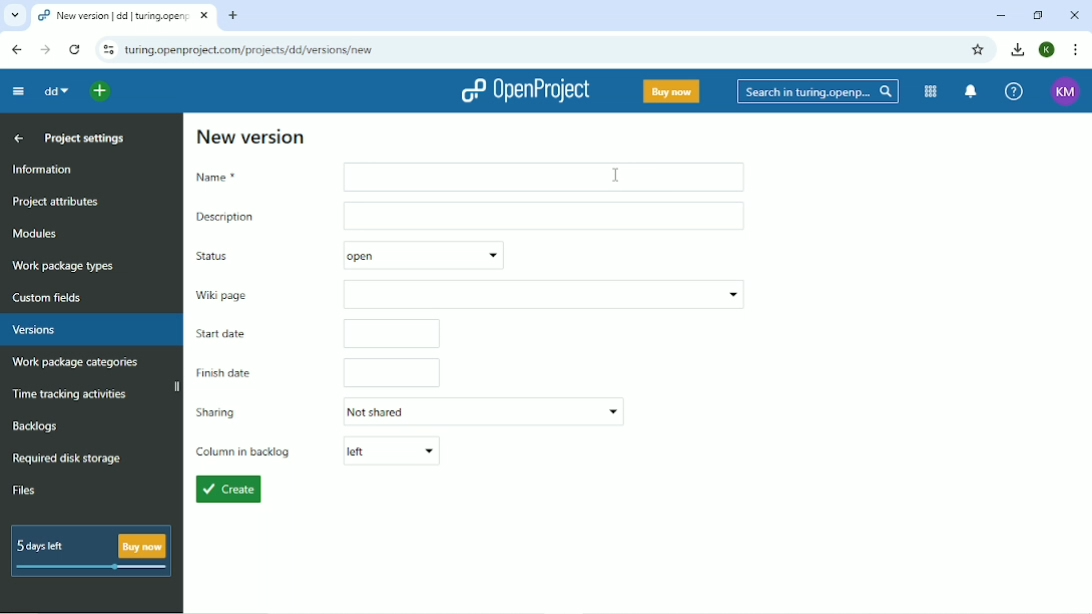 This screenshot has width=1092, height=614. Describe the element at coordinates (318, 451) in the screenshot. I see `Column in backlog` at that location.